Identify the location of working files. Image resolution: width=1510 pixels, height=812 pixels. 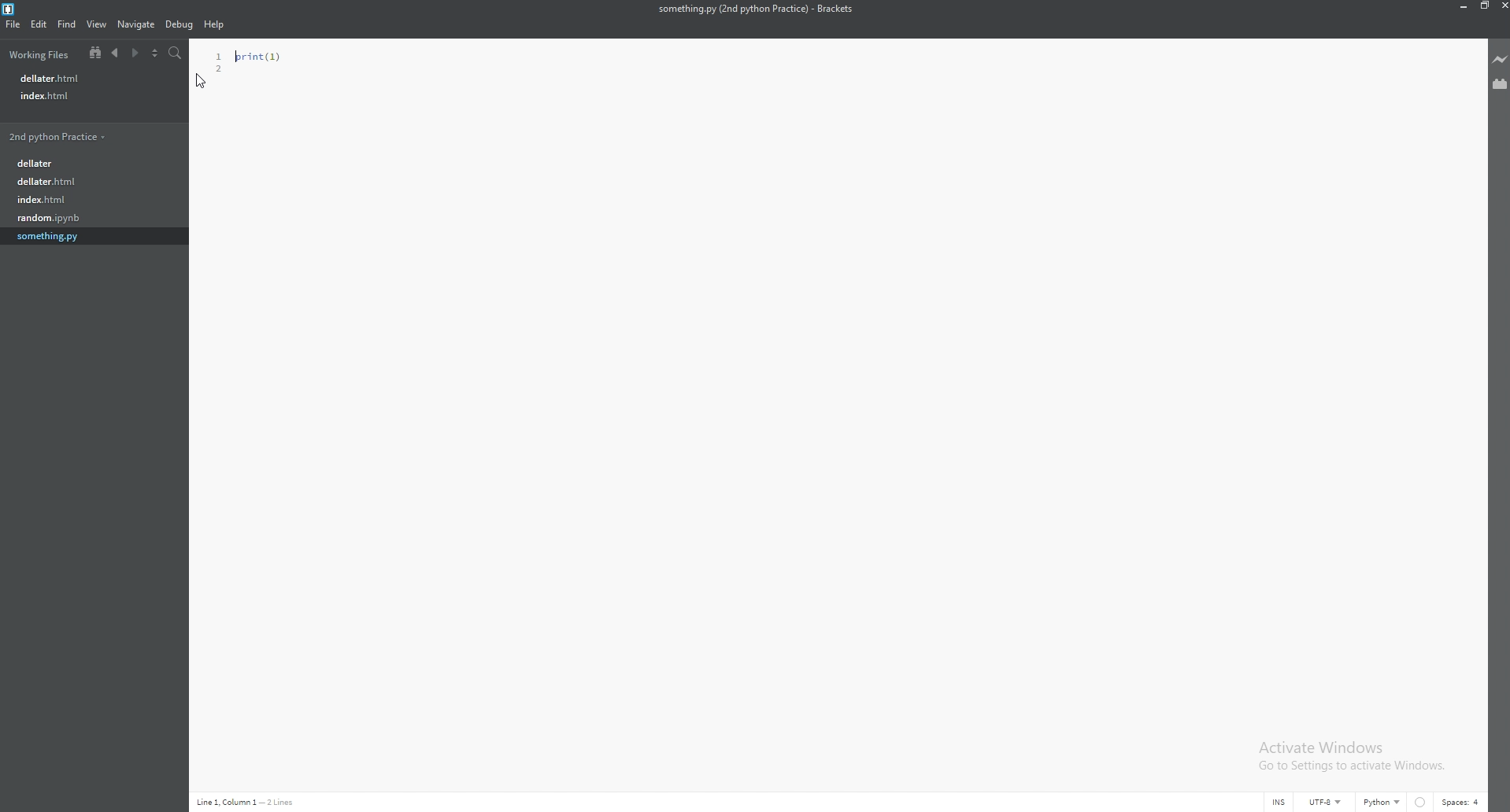
(38, 55).